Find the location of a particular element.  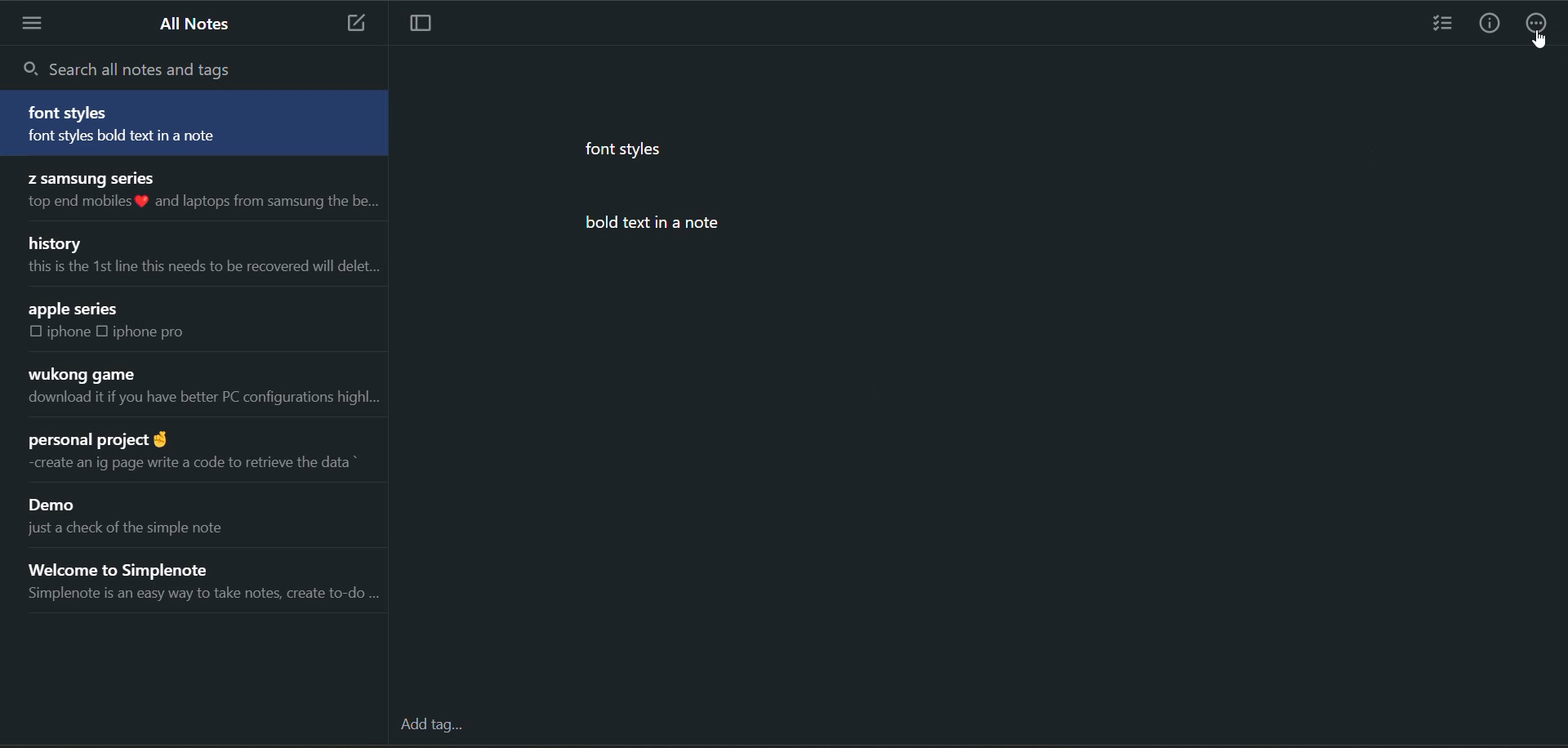

add tag is located at coordinates (435, 726).